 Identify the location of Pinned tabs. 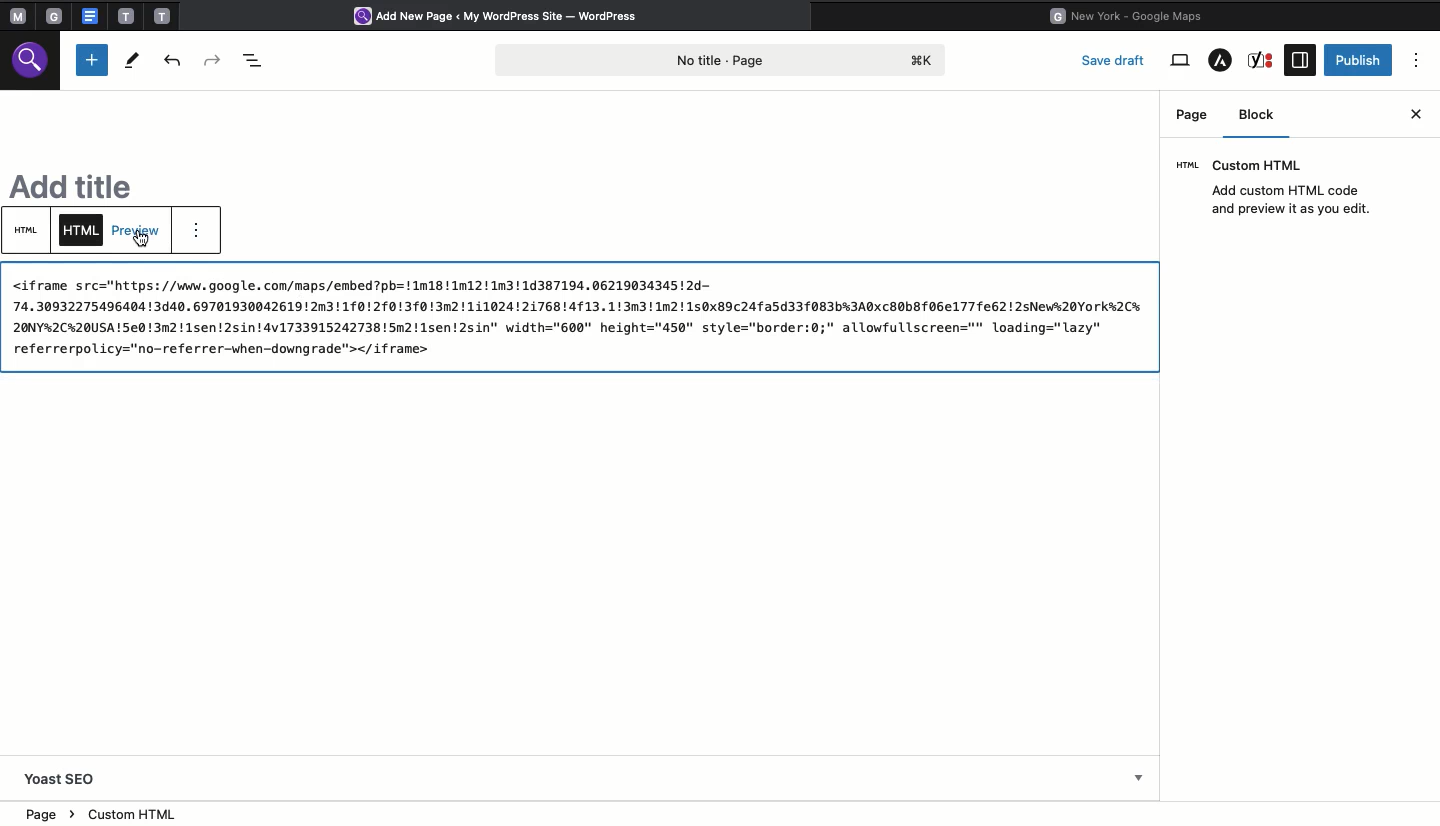
(15, 17).